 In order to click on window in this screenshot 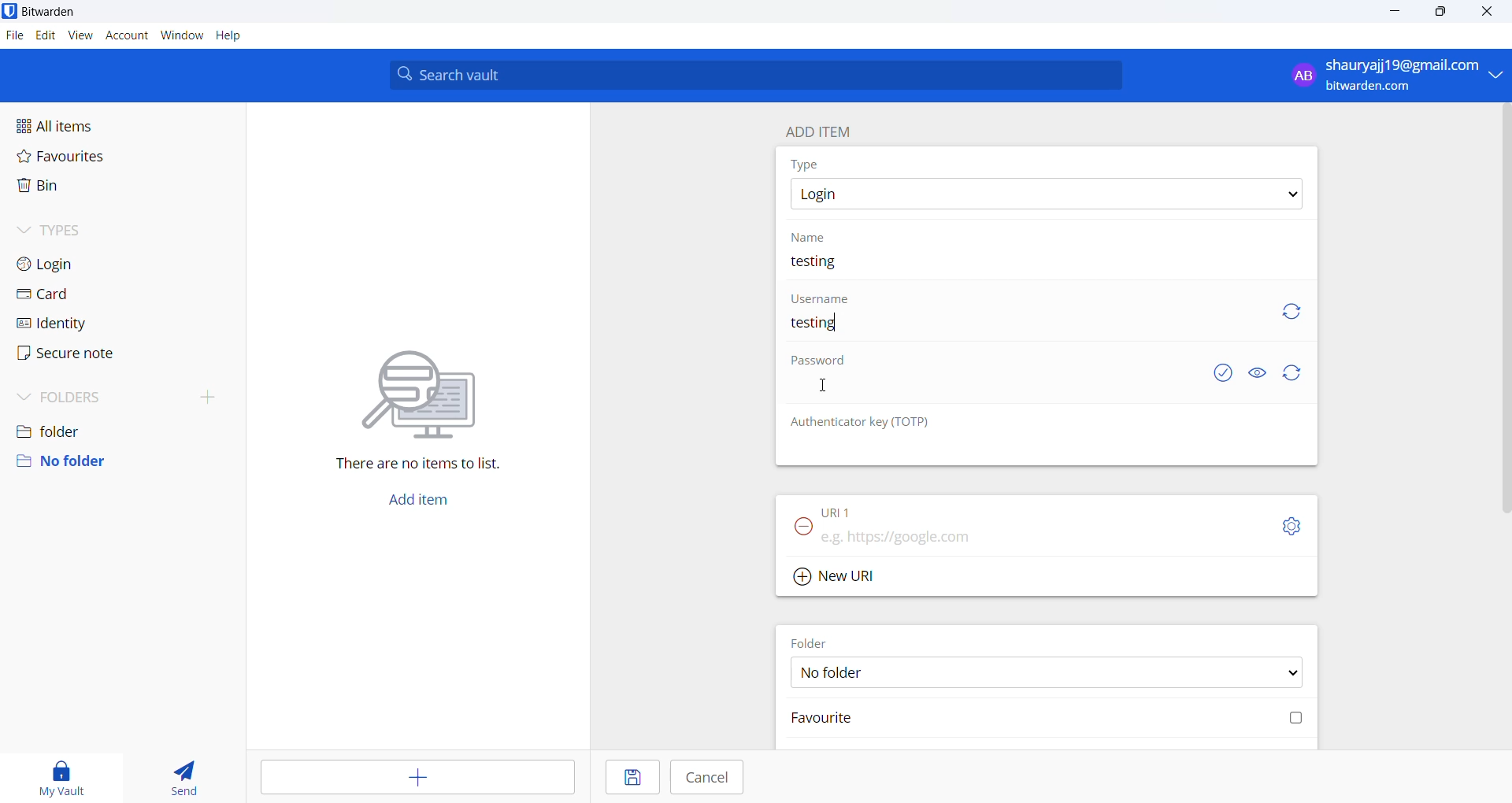, I will do `click(182, 35)`.